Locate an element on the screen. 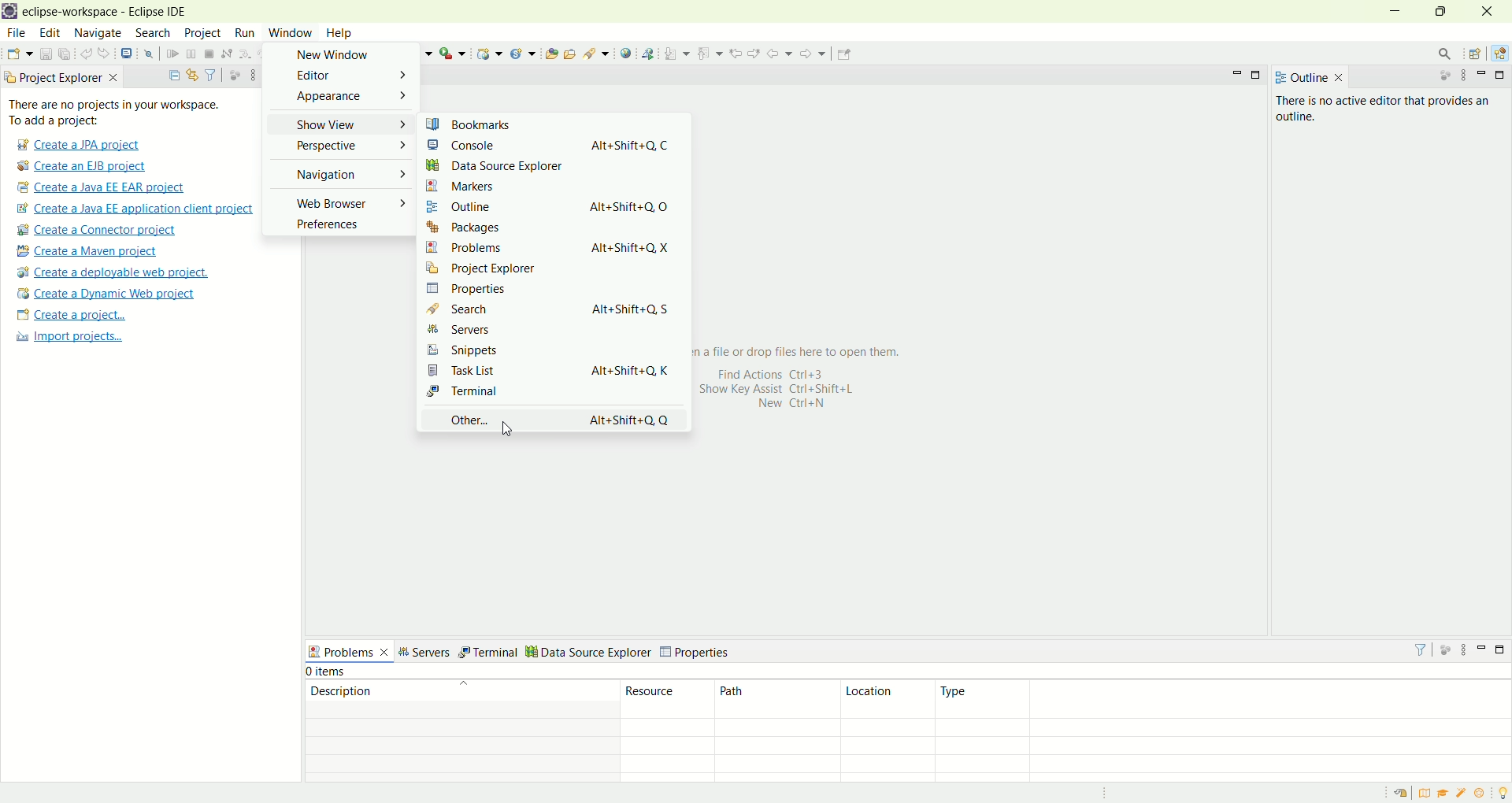 The image size is (1512, 803). aIt+Shift+Q, S is located at coordinates (636, 307).